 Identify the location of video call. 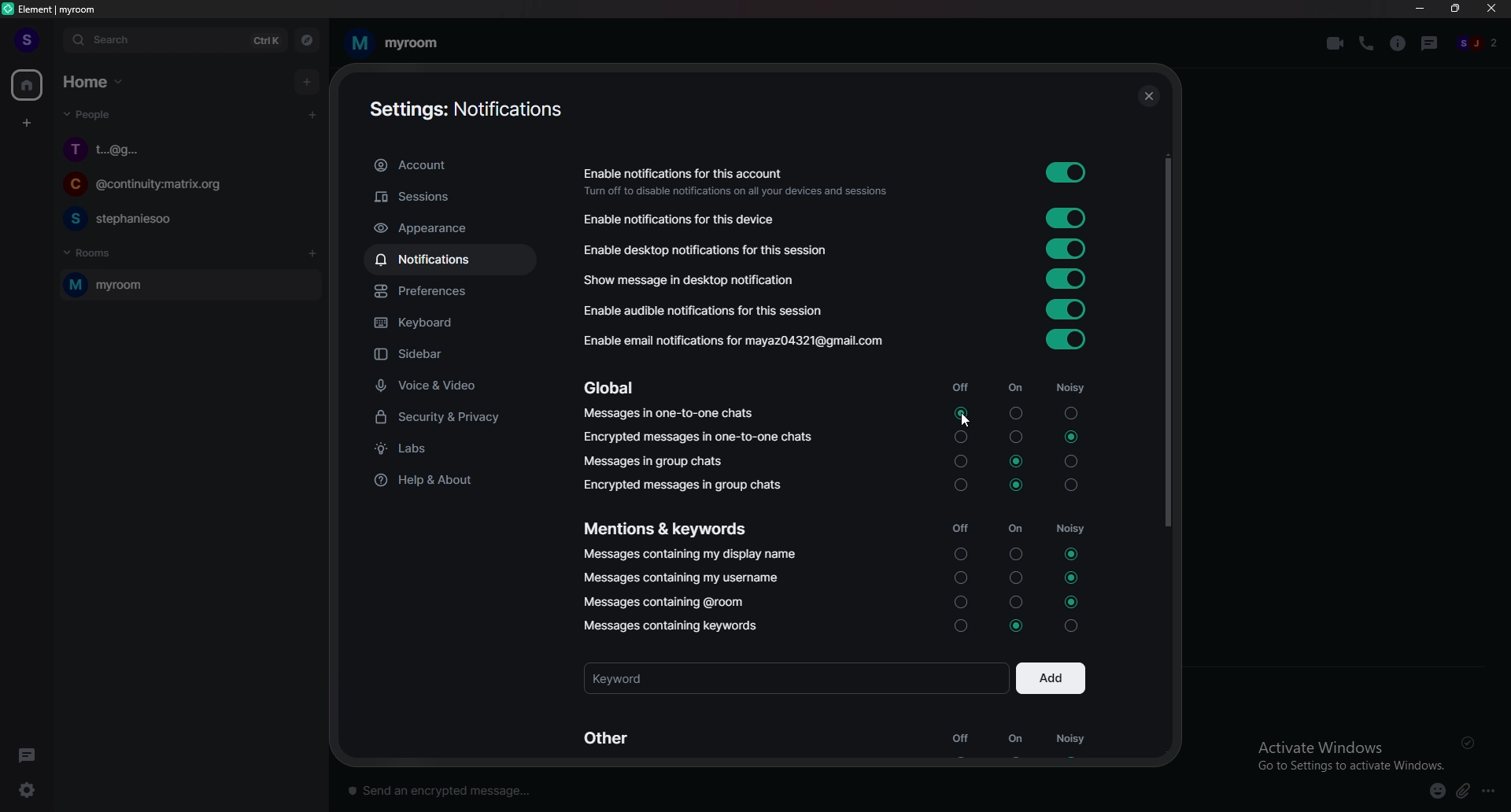
(1334, 43).